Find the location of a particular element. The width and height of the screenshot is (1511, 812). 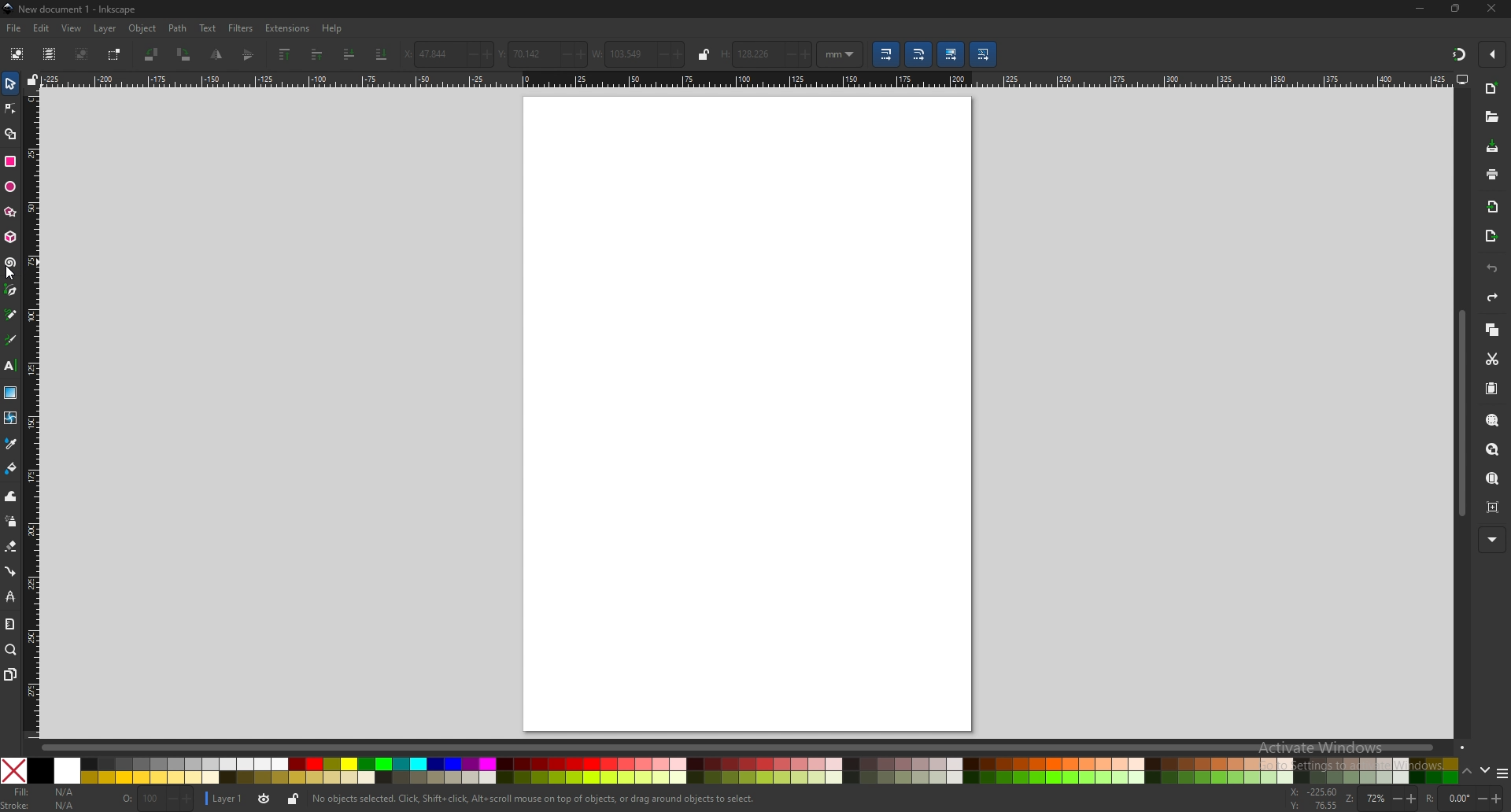

undo is located at coordinates (1492, 268).